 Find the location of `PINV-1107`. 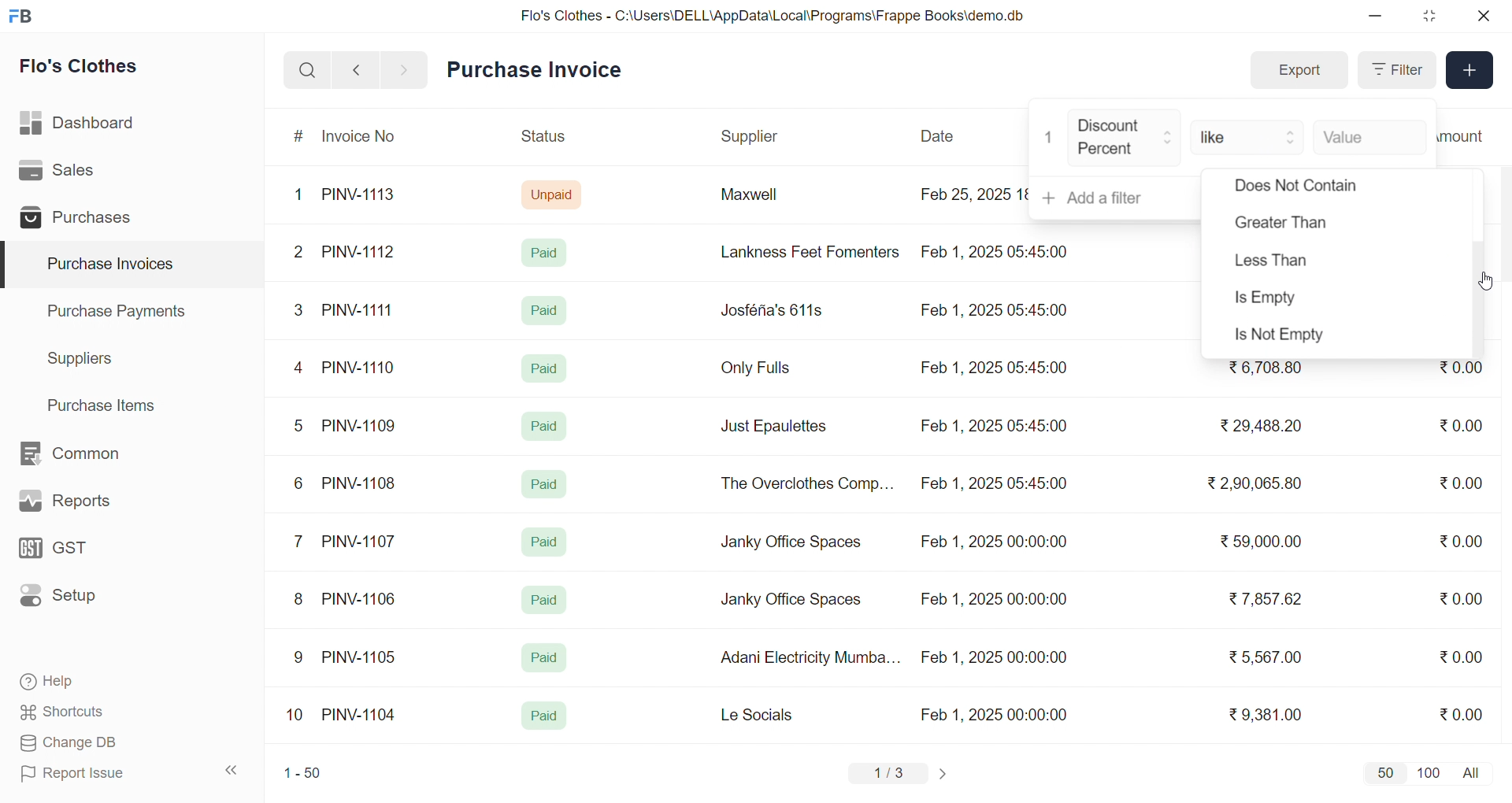

PINV-1107 is located at coordinates (362, 542).